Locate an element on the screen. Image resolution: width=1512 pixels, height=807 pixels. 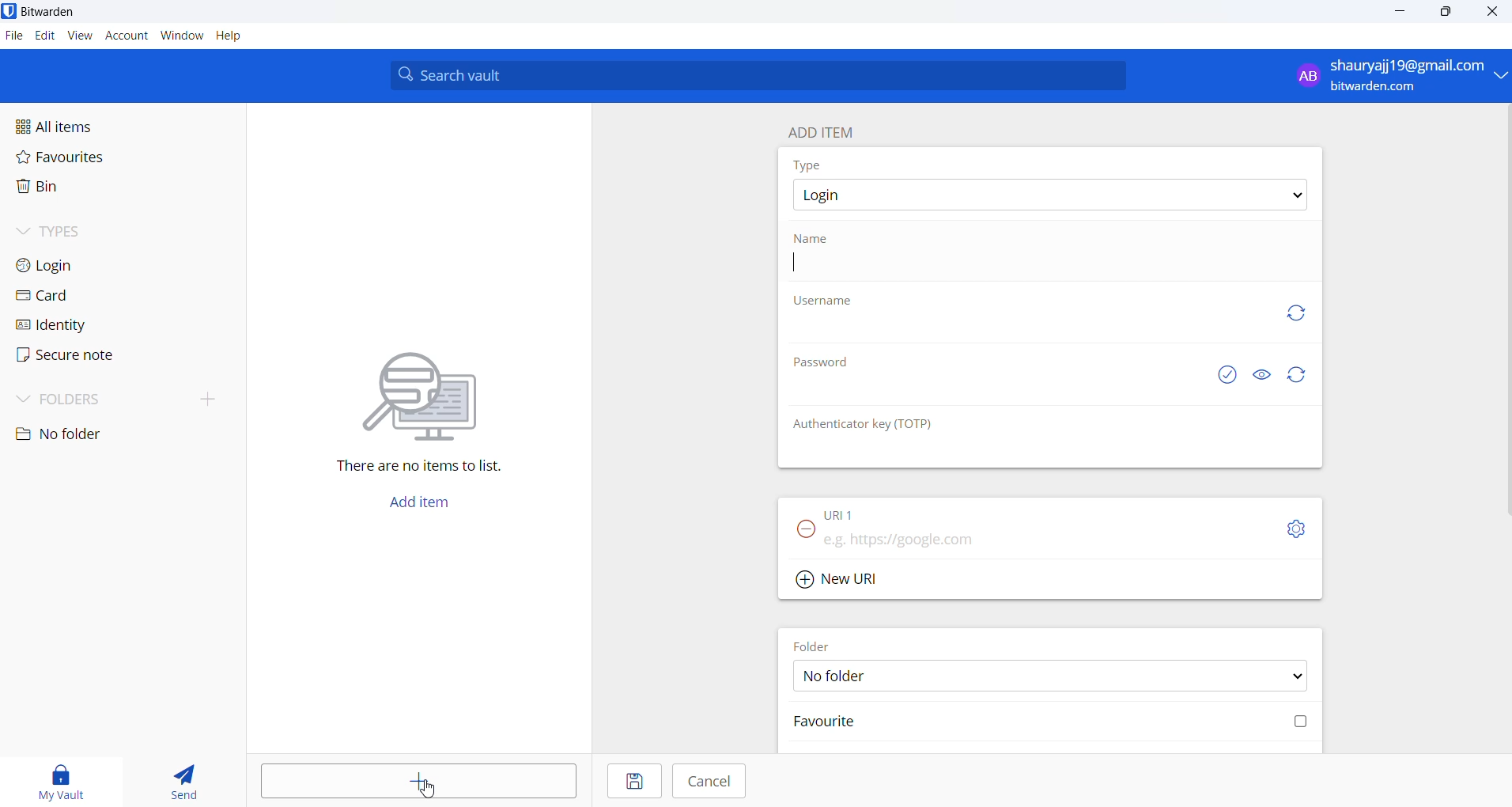
URL 1 is located at coordinates (842, 513).